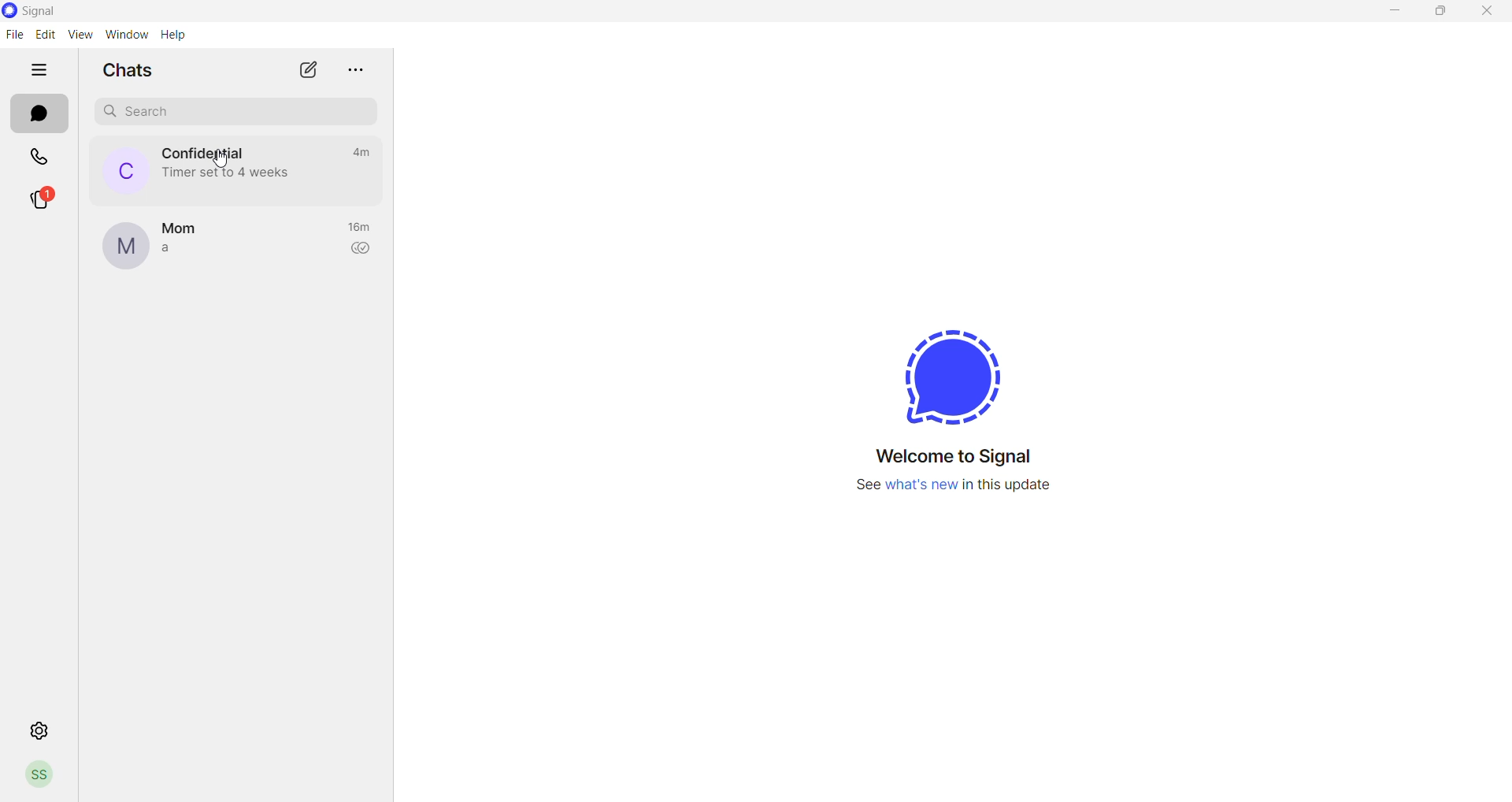 The height and width of the screenshot is (802, 1512). What do you see at coordinates (117, 170) in the screenshot?
I see `profile picture` at bounding box center [117, 170].